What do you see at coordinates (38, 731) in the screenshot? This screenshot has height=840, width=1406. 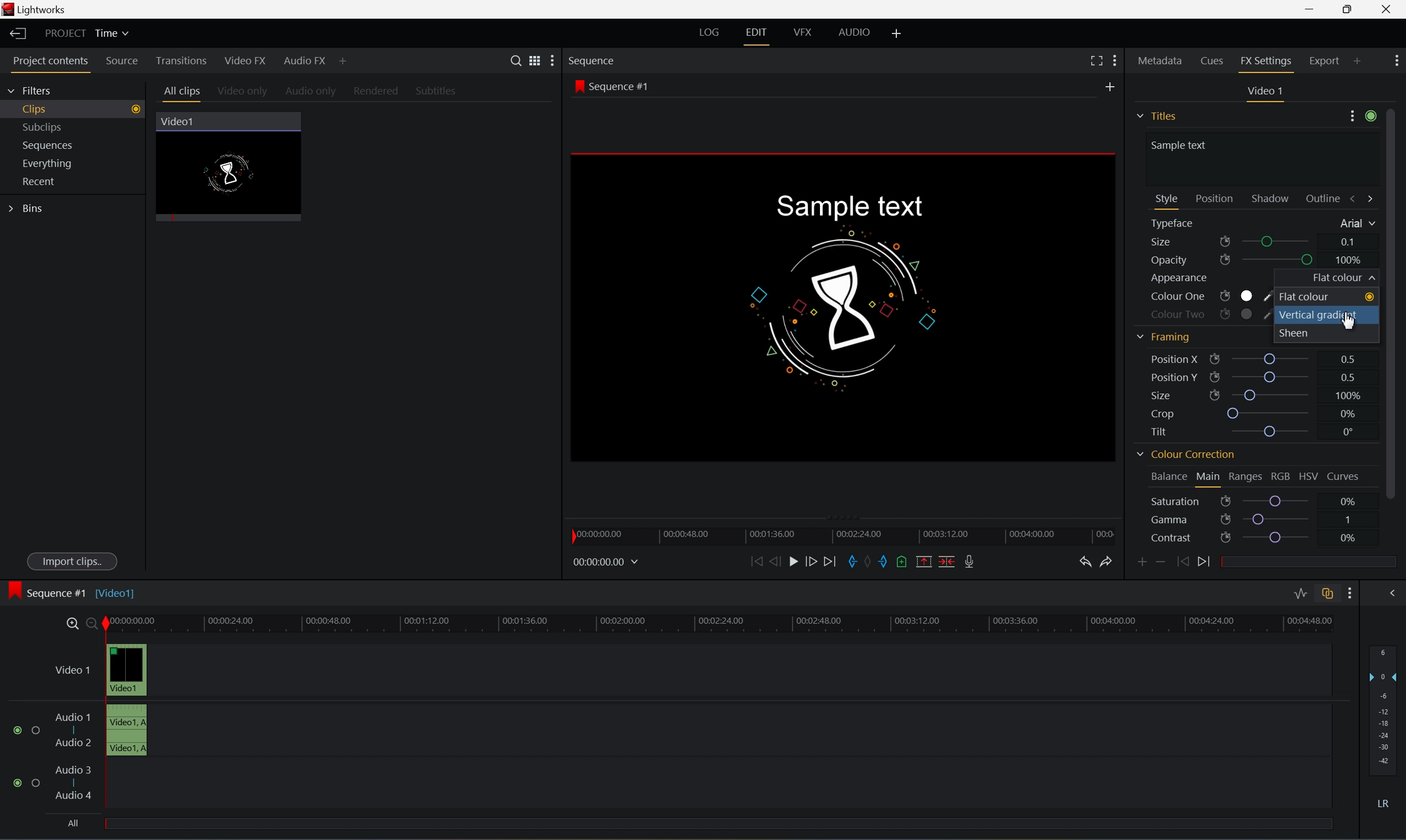 I see `checkbox` at bounding box center [38, 731].